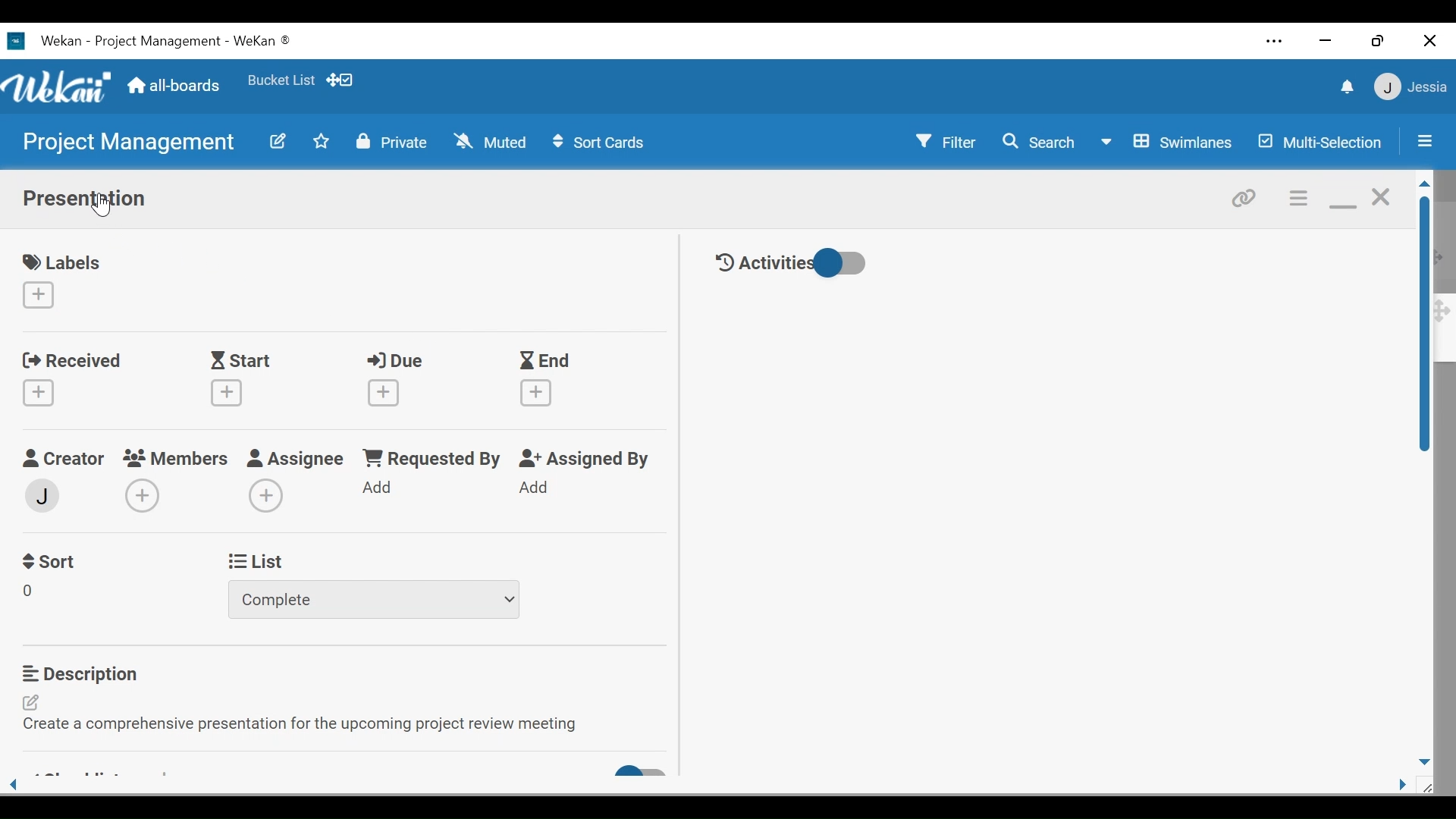 Image resolution: width=1456 pixels, height=819 pixels. Describe the element at coordinates (371, 599) in the screenshot. I see `Dropdown list` at that location.